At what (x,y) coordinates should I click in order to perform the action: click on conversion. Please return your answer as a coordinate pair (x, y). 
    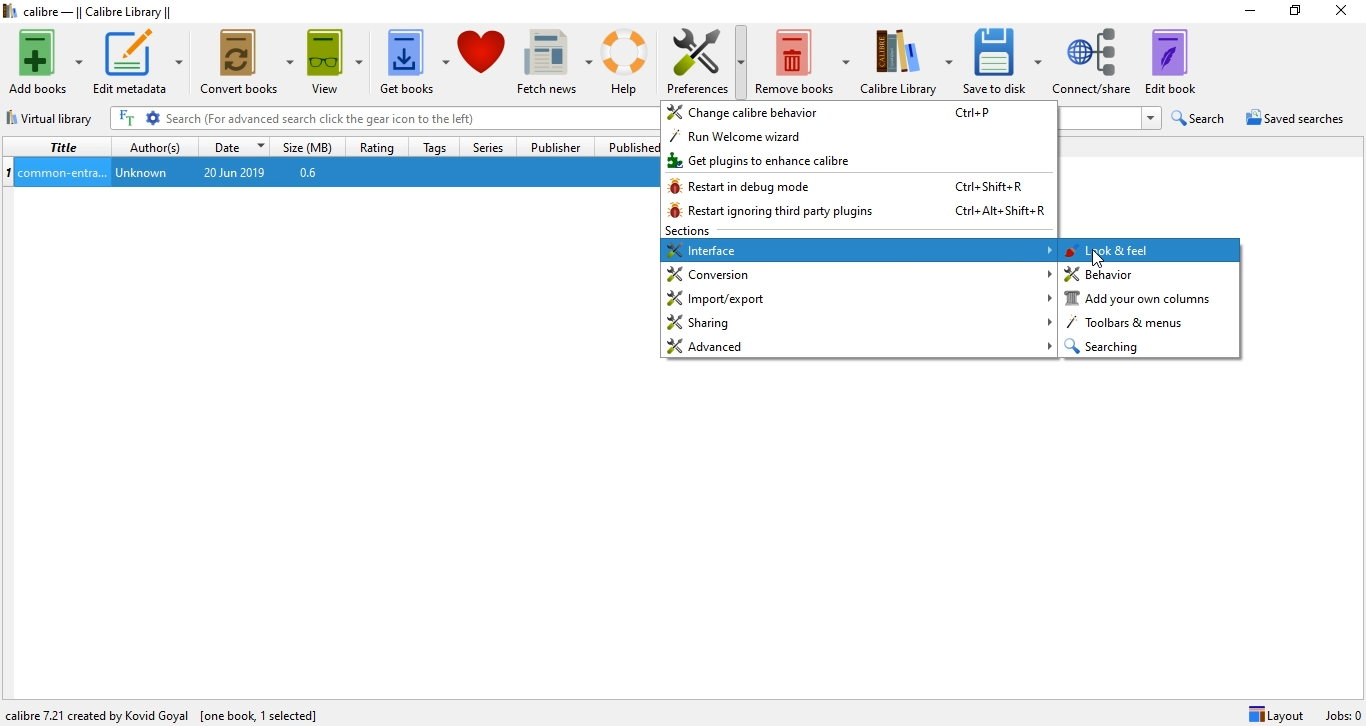
    Looking at the image, I should click on (858, 274).